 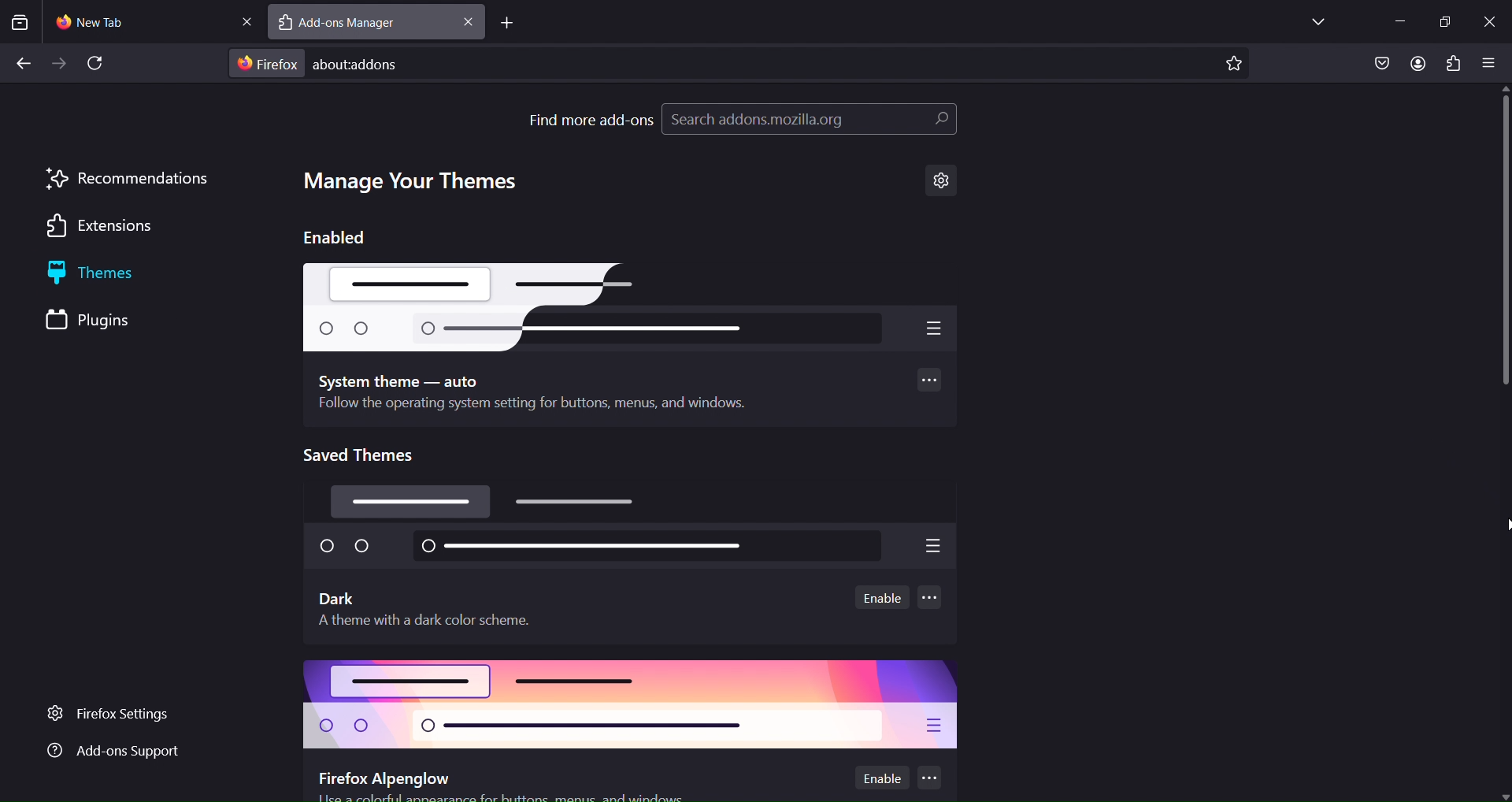 What do you see at coordinates (880, 777) in the screenshot?
I see `enable` at bounding box center [880, 777].